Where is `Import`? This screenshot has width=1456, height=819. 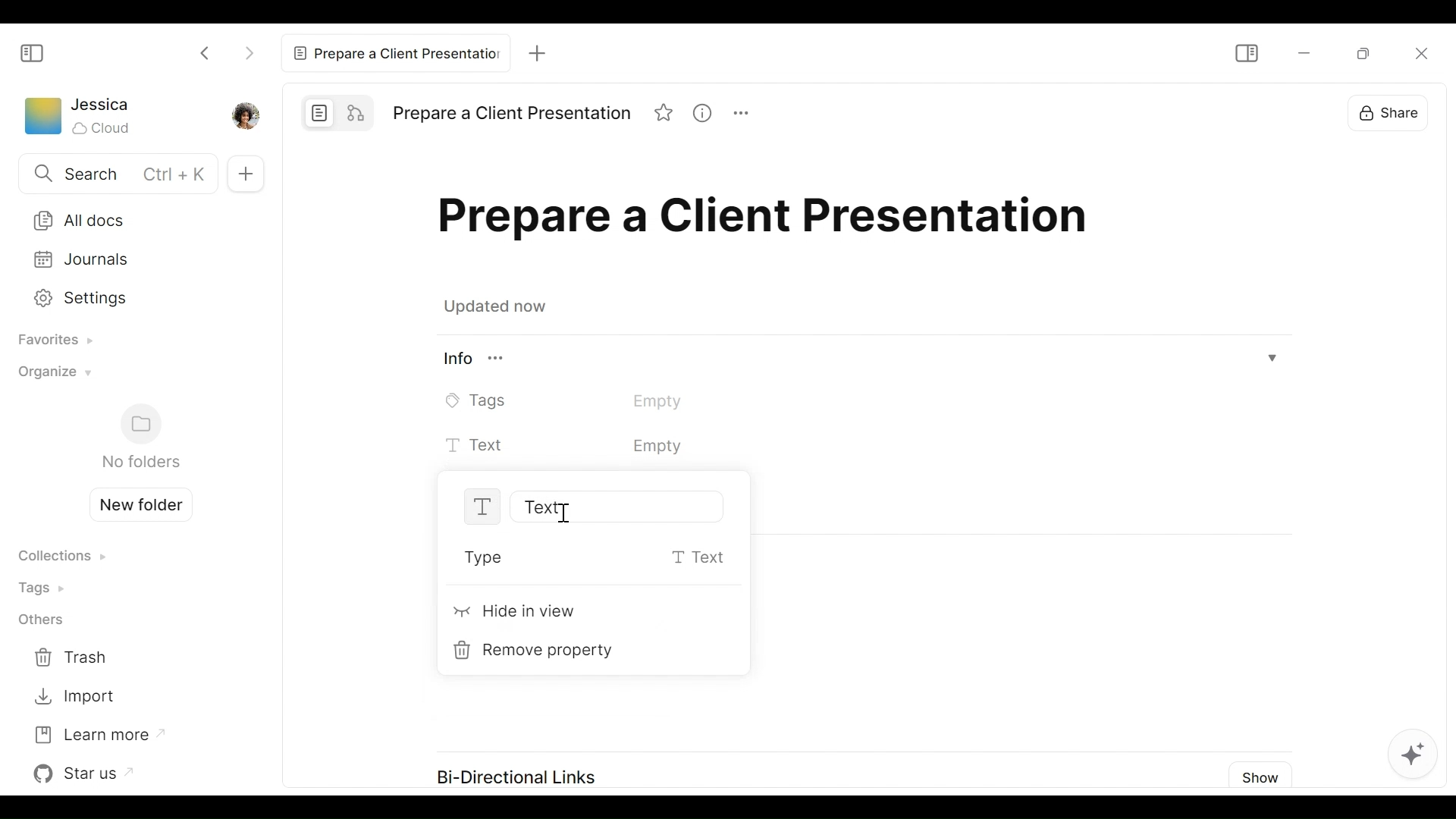 Import is located at coordinates (74, 697).